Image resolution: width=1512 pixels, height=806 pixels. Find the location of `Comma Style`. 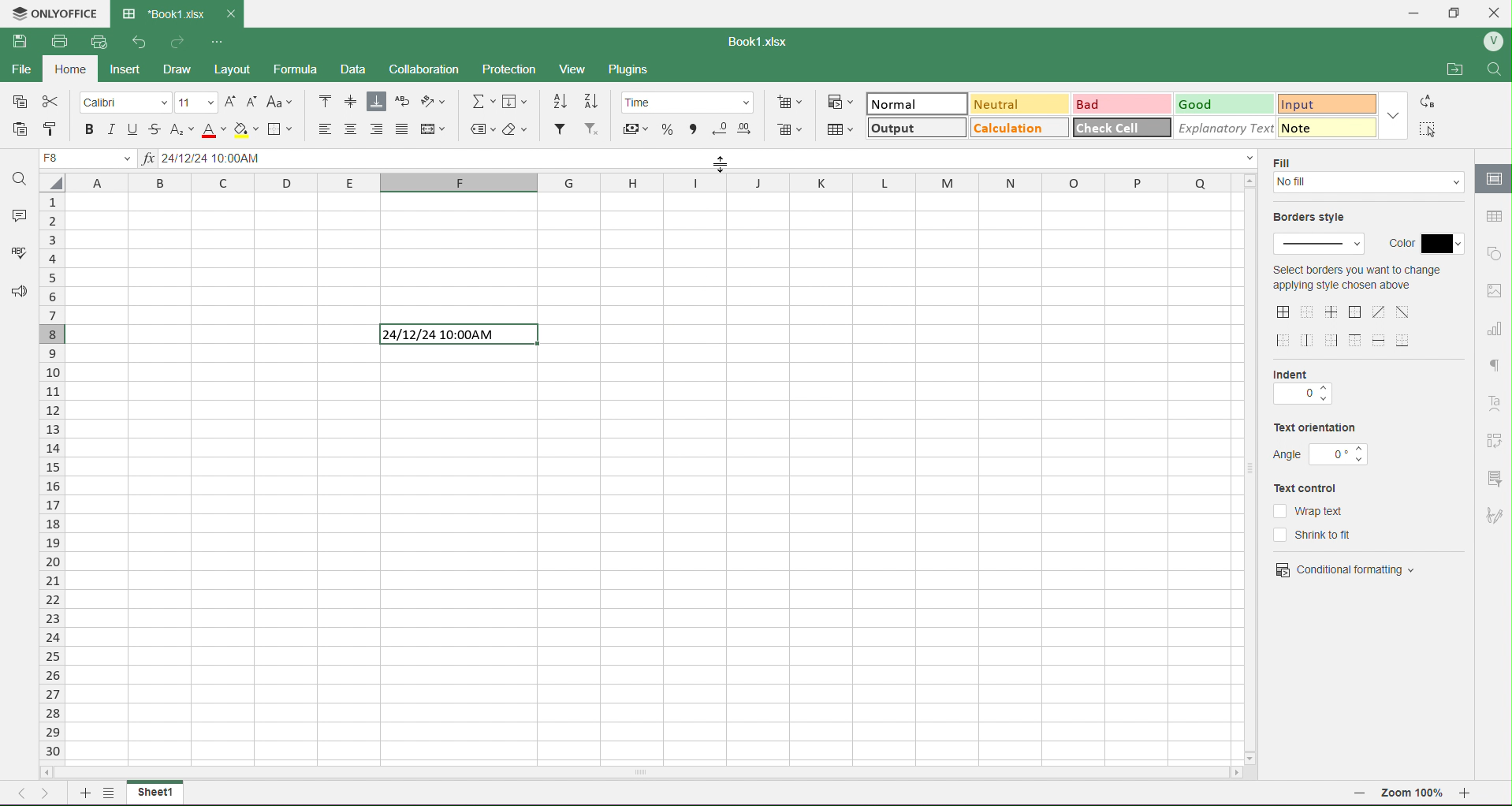

Comma Style is located at coordinates (693, 127).